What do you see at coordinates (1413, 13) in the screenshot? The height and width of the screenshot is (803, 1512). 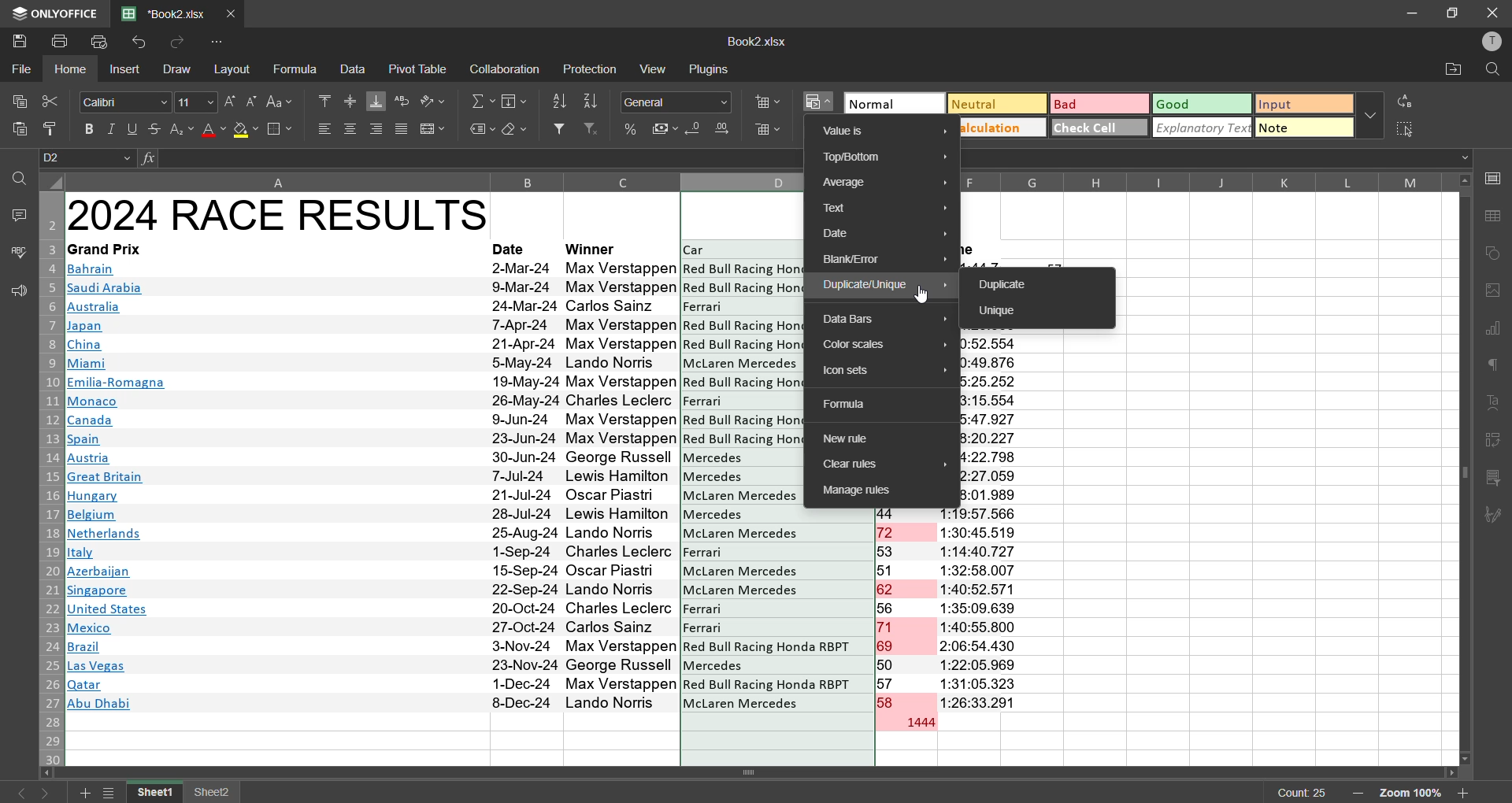 I see `minimize` at bounding box center [1413, 13].